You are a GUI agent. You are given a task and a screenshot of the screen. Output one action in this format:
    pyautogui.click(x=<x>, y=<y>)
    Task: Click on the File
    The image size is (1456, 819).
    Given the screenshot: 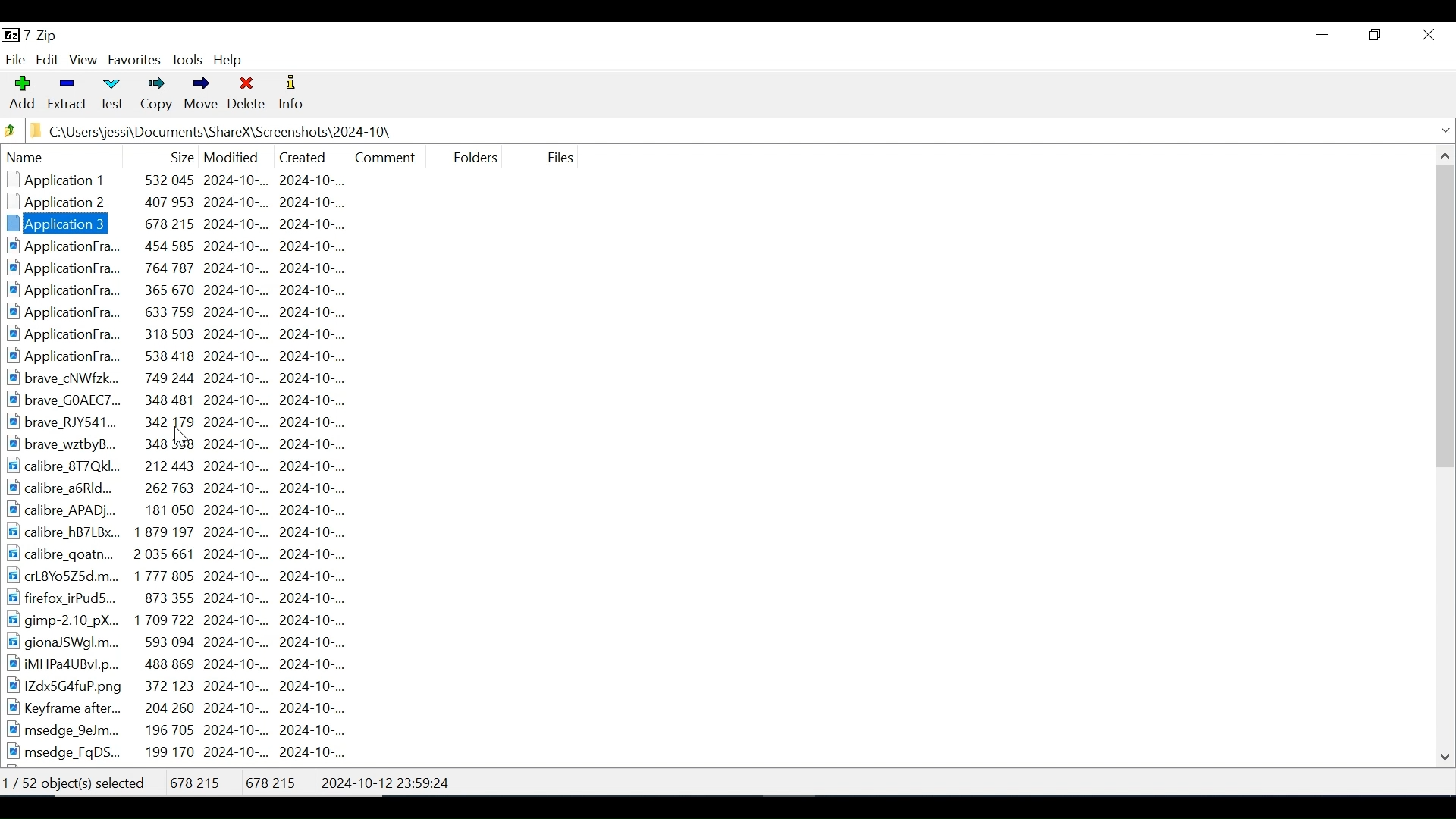 What is the action you would take?
    pyautogui.click(x=558, y=157)
    